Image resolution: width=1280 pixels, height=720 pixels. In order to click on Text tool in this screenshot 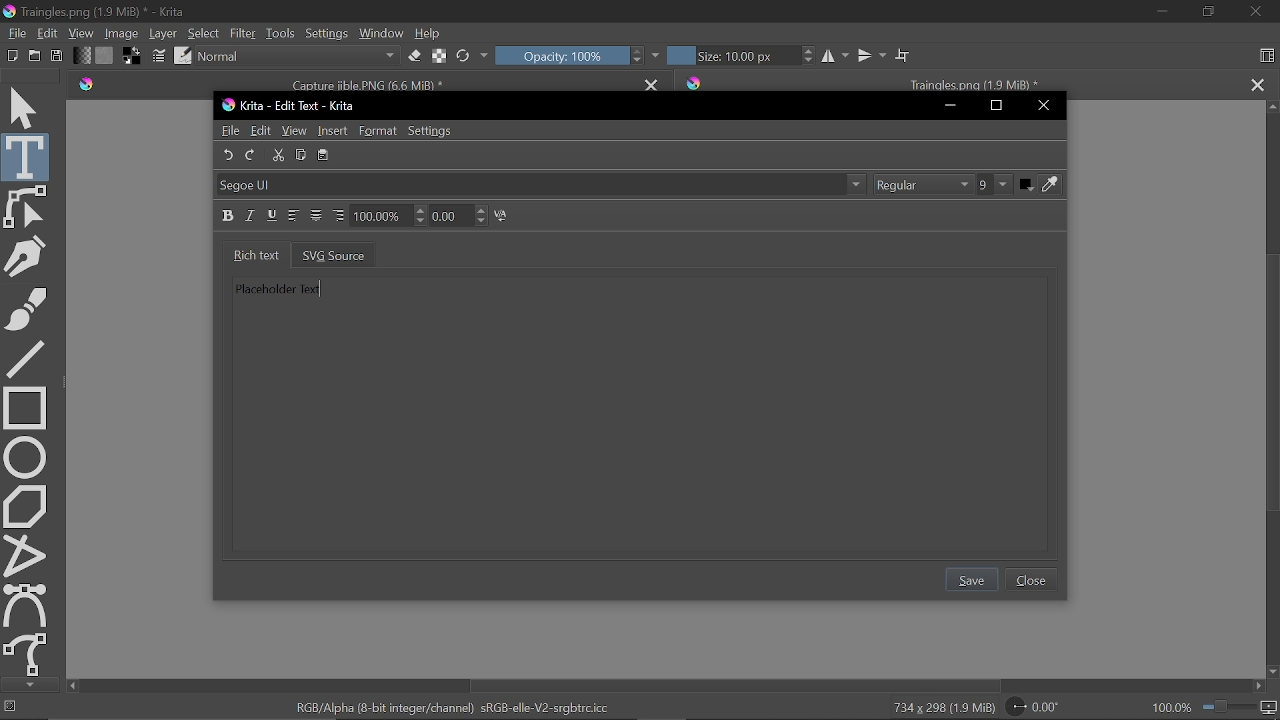, I will do `click(27, 157)`.